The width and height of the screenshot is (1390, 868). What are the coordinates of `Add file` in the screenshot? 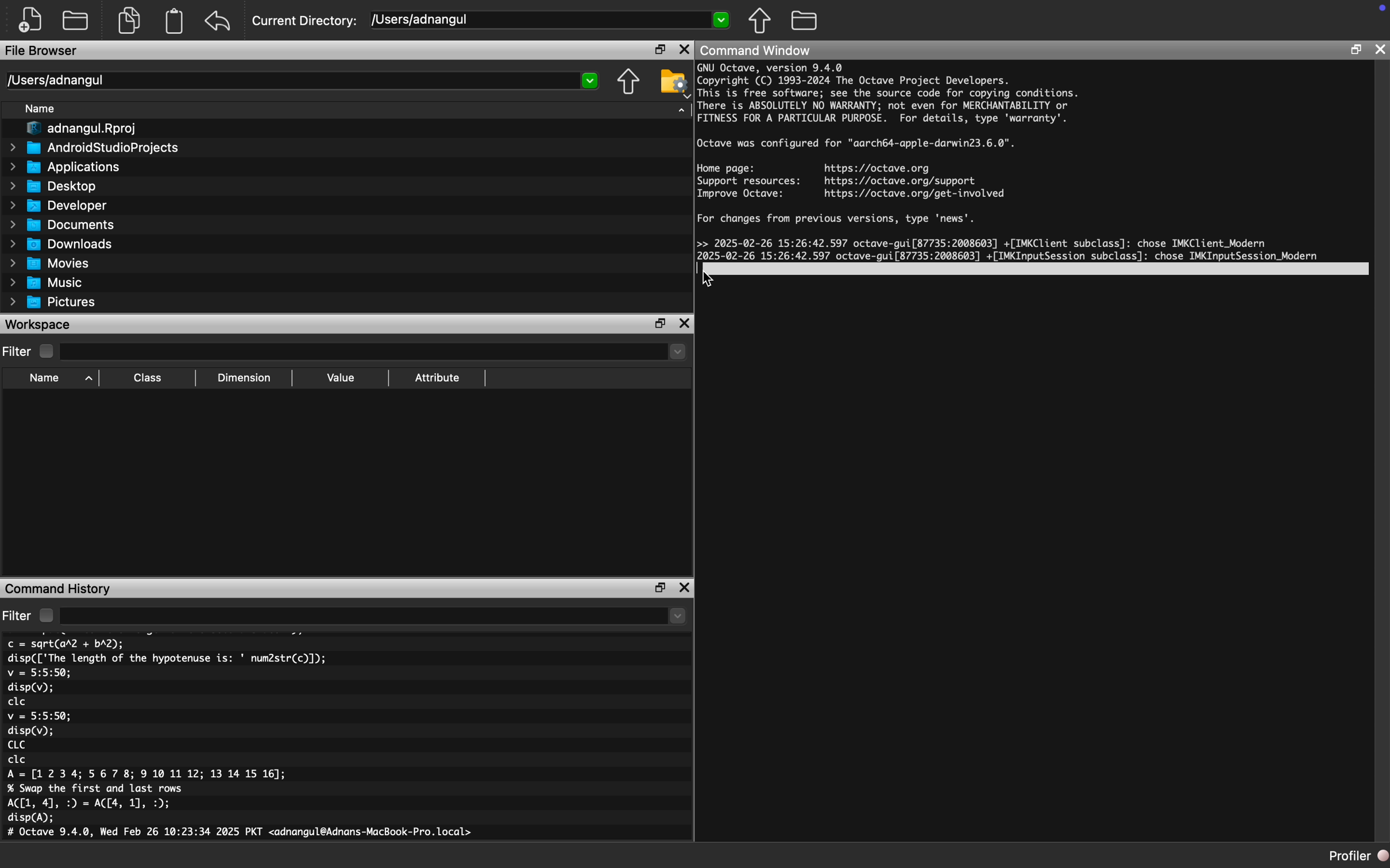 It's located at (30, 21).